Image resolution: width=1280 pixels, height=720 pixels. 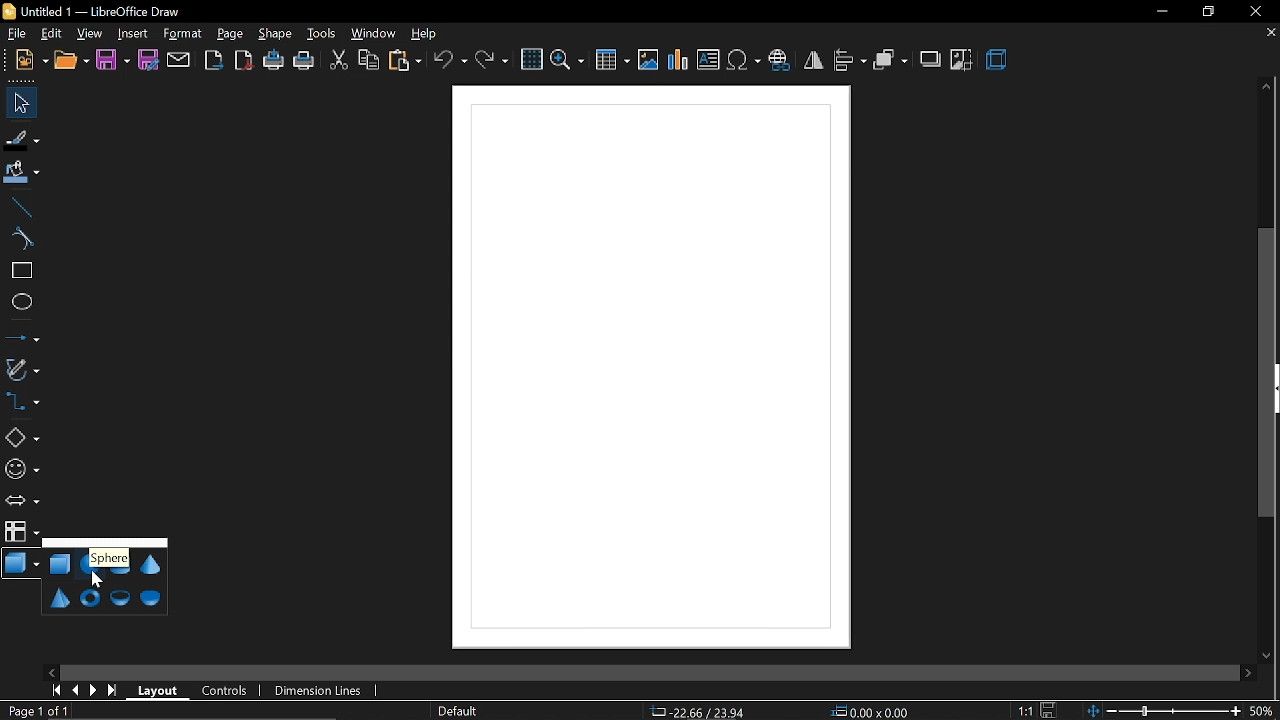 I want to click on cylinder, so click(x=122, y=566).